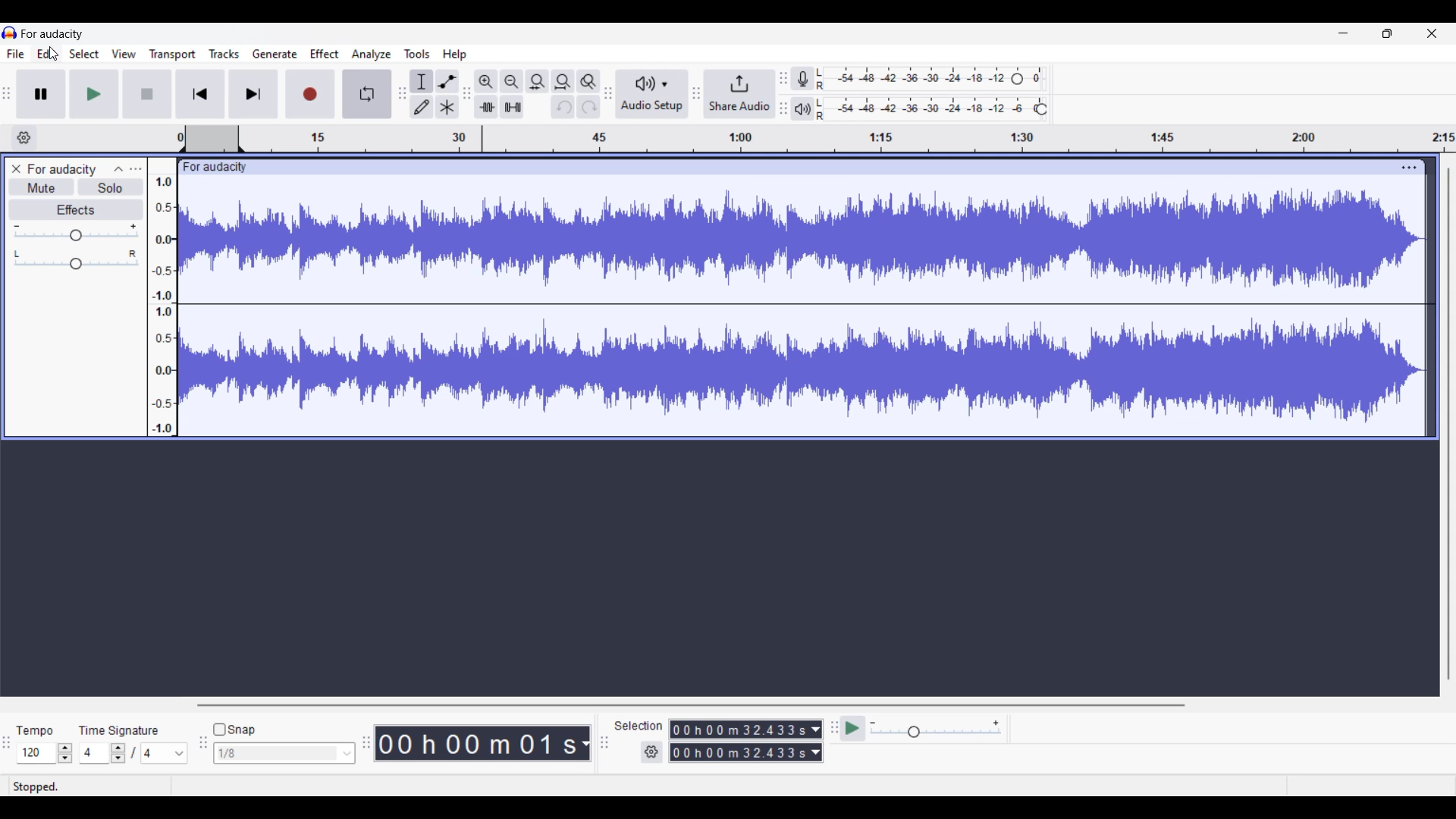 The image size is (1456, 819). Describe the element at coordinates (235, 730) in the screenshot. I see `Snap toggle` at that location.